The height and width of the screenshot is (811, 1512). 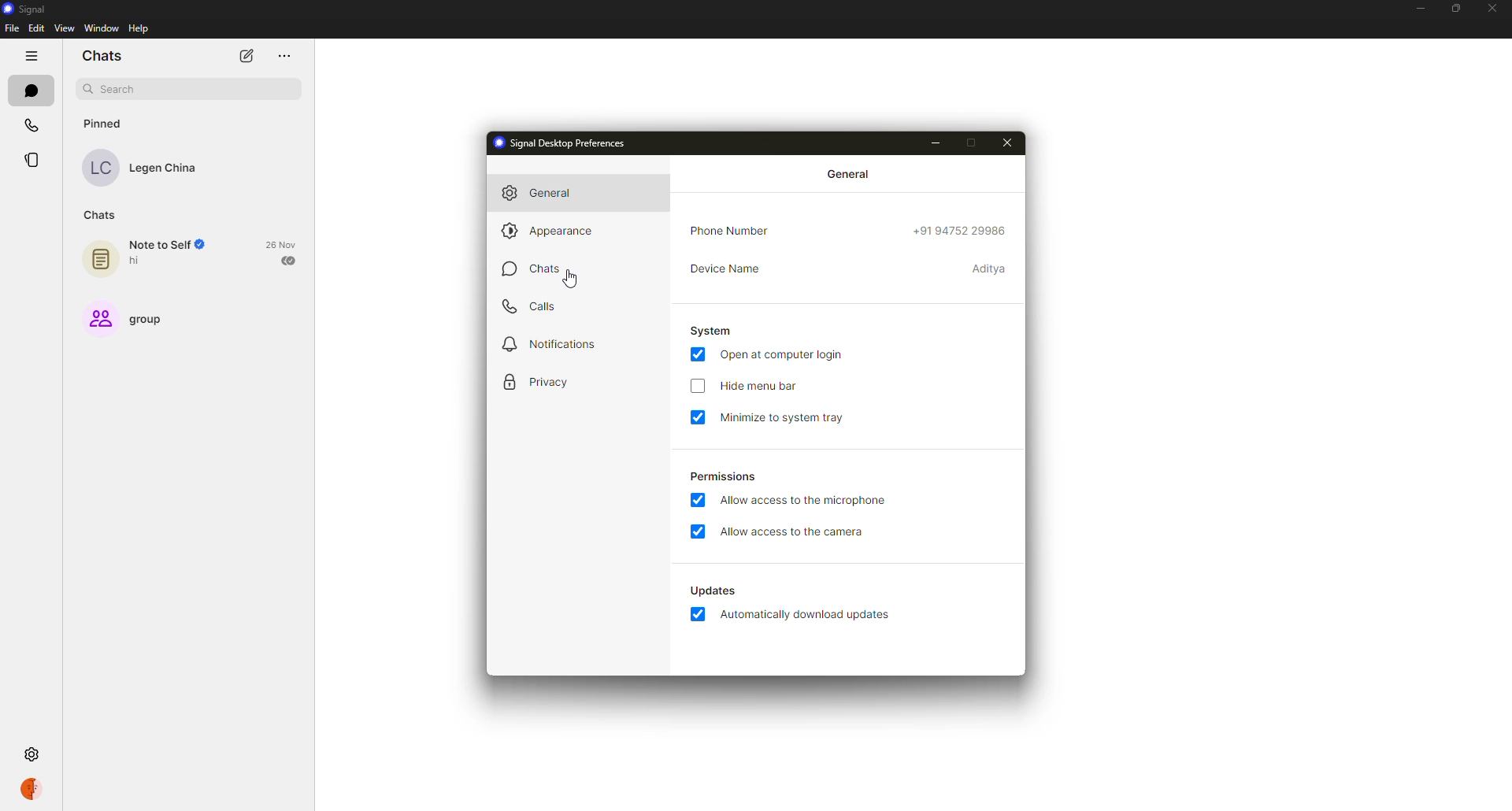 I want to click on phone number, so click(x=728, y=231).